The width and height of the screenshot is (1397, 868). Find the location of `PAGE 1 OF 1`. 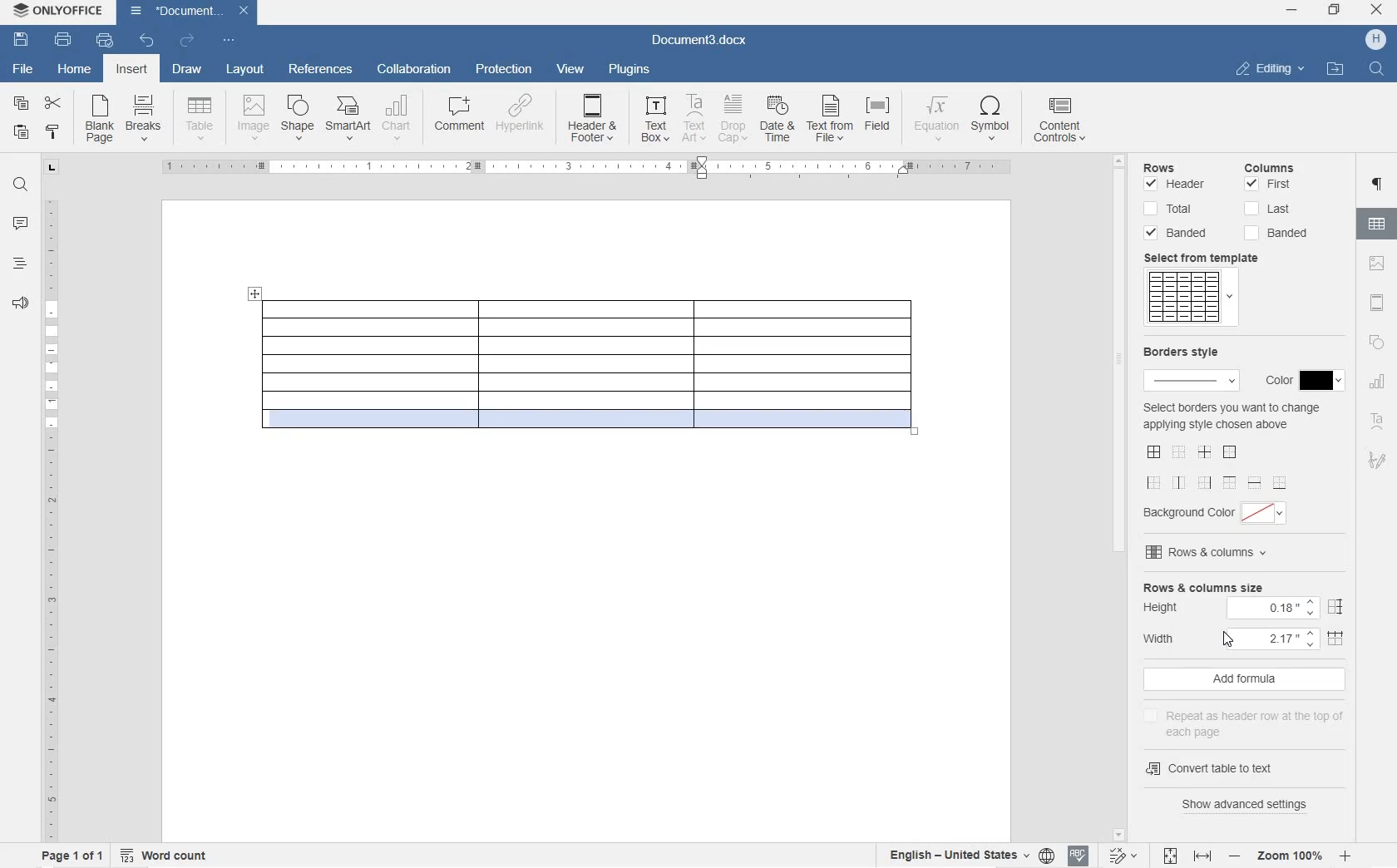

PAGE 1 OF 1 is located at coordinates (72, 856).